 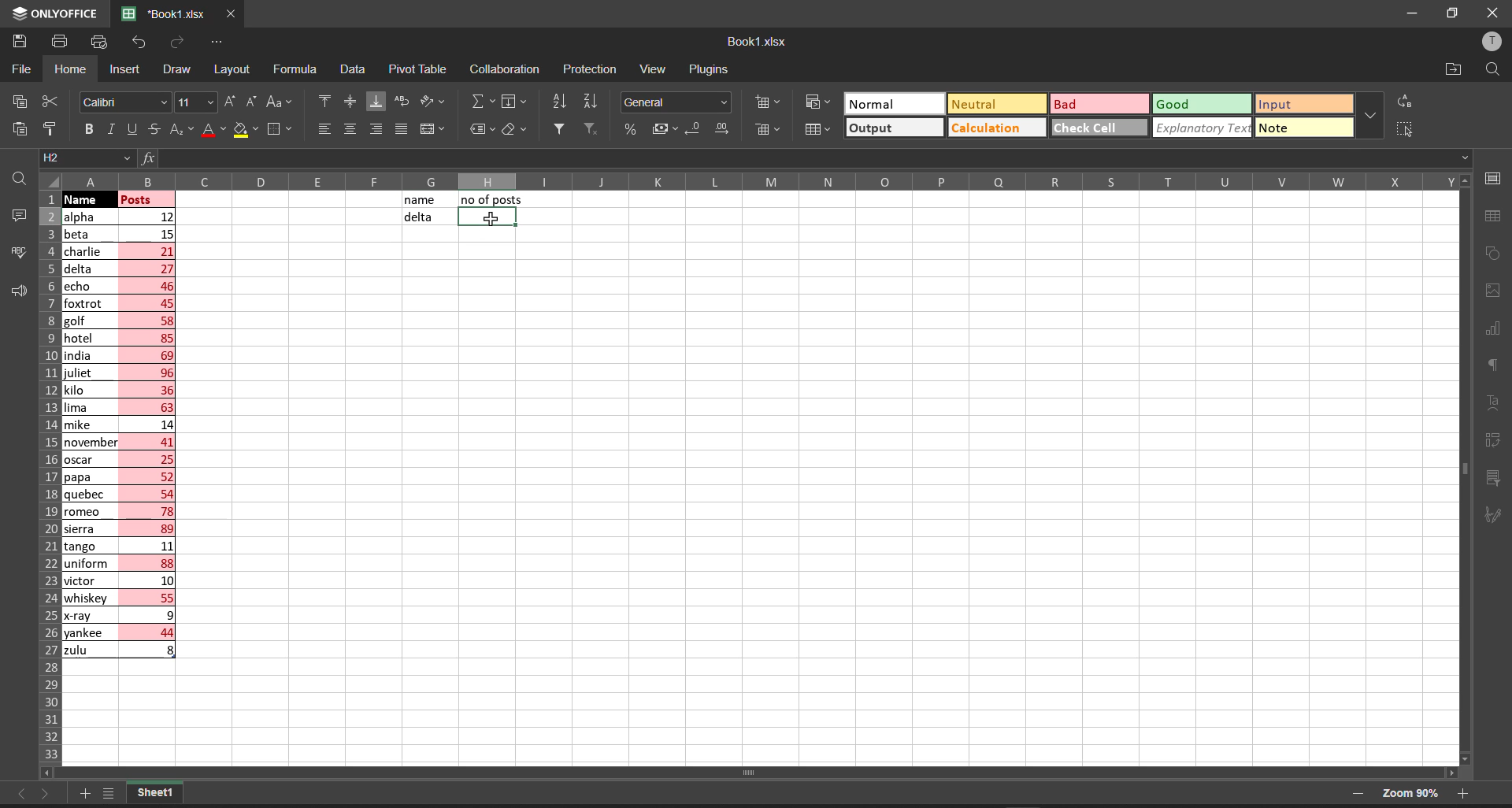 I want to click on output, so click(x=876, y=128).